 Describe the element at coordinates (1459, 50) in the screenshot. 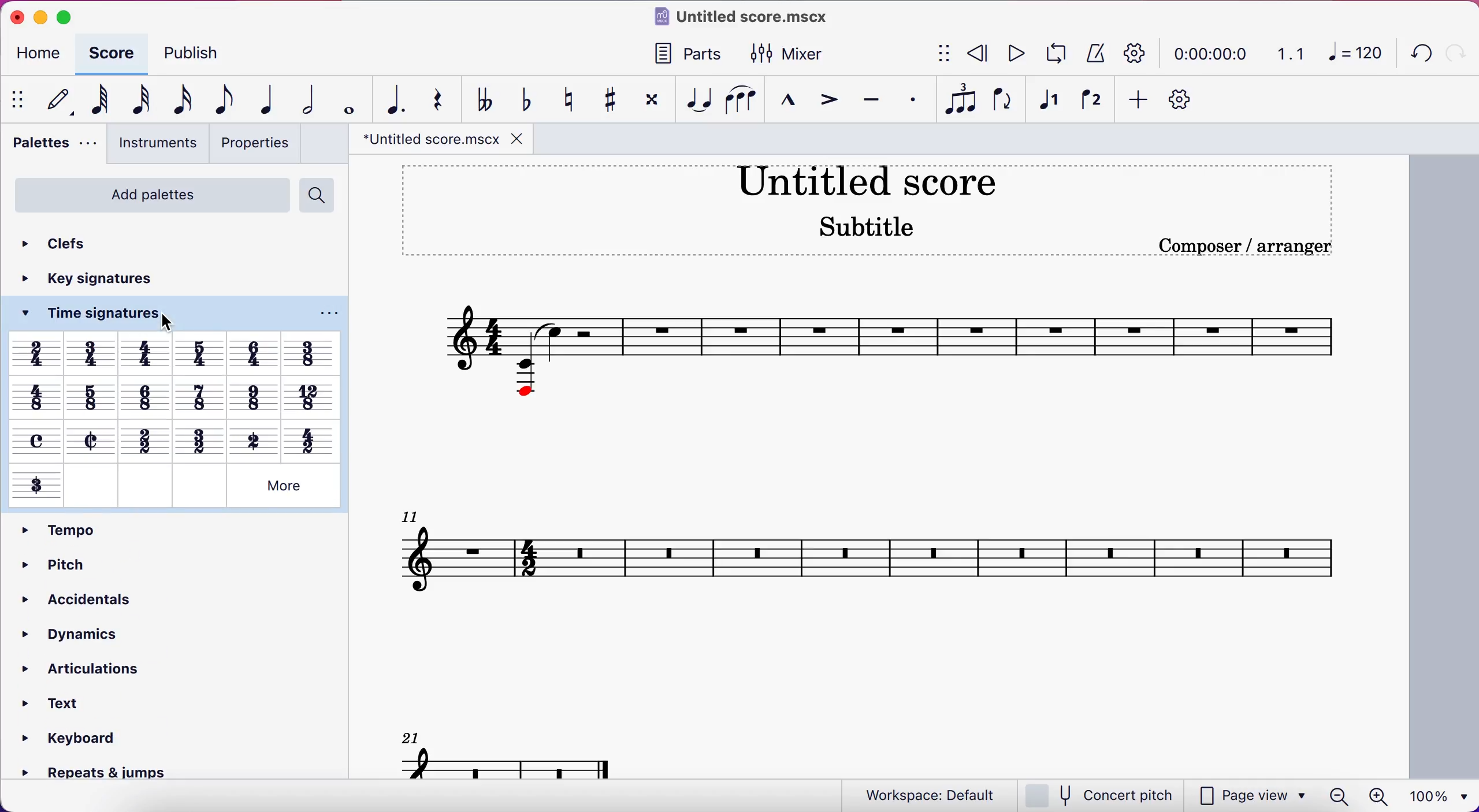

I see `redo` at that location.